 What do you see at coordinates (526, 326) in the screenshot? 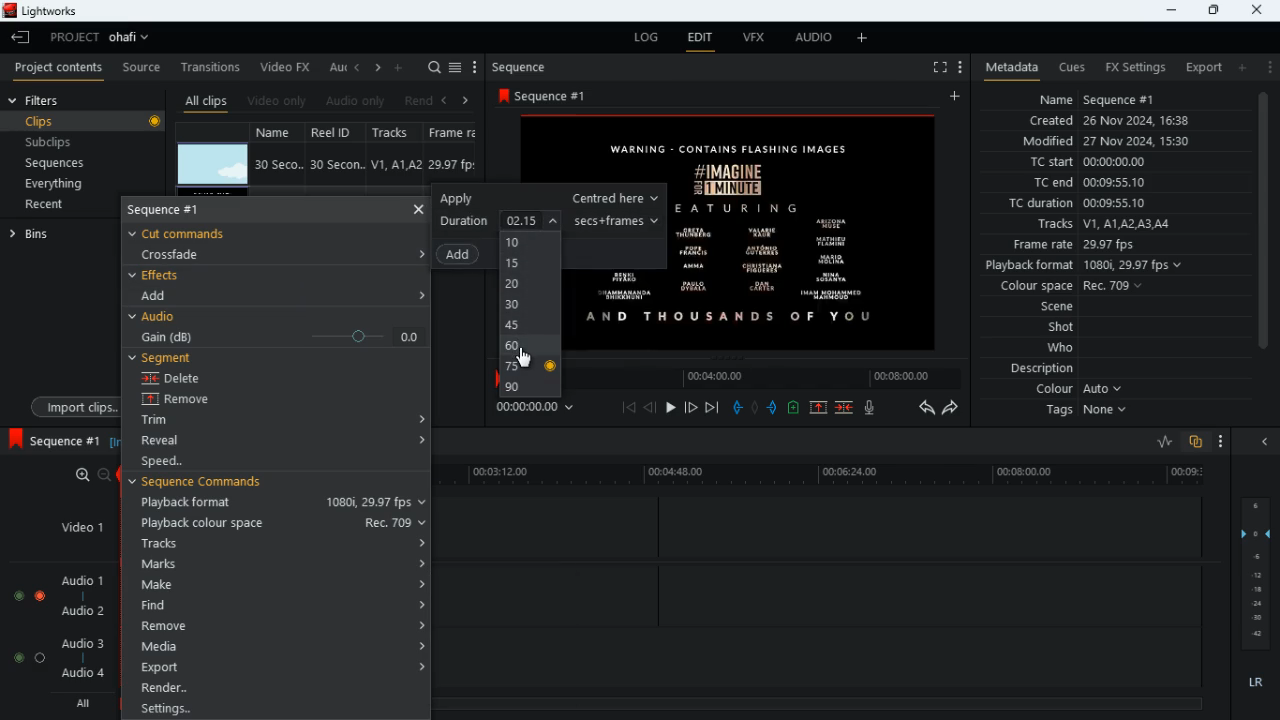
I see `45` at bounding box center [526, 326].